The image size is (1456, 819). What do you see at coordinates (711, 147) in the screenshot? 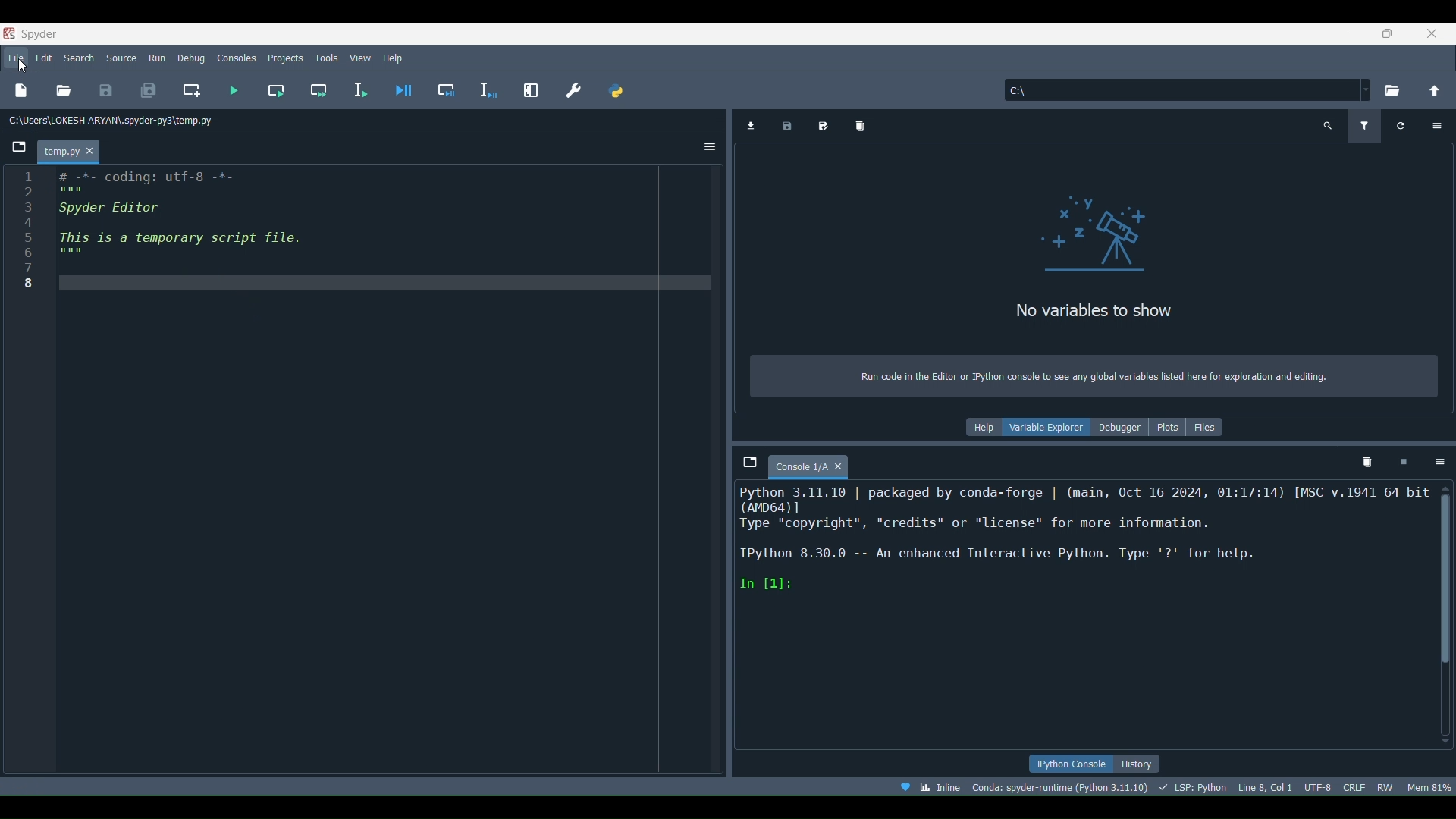
I see `Options` at bounding box center [711, 147].